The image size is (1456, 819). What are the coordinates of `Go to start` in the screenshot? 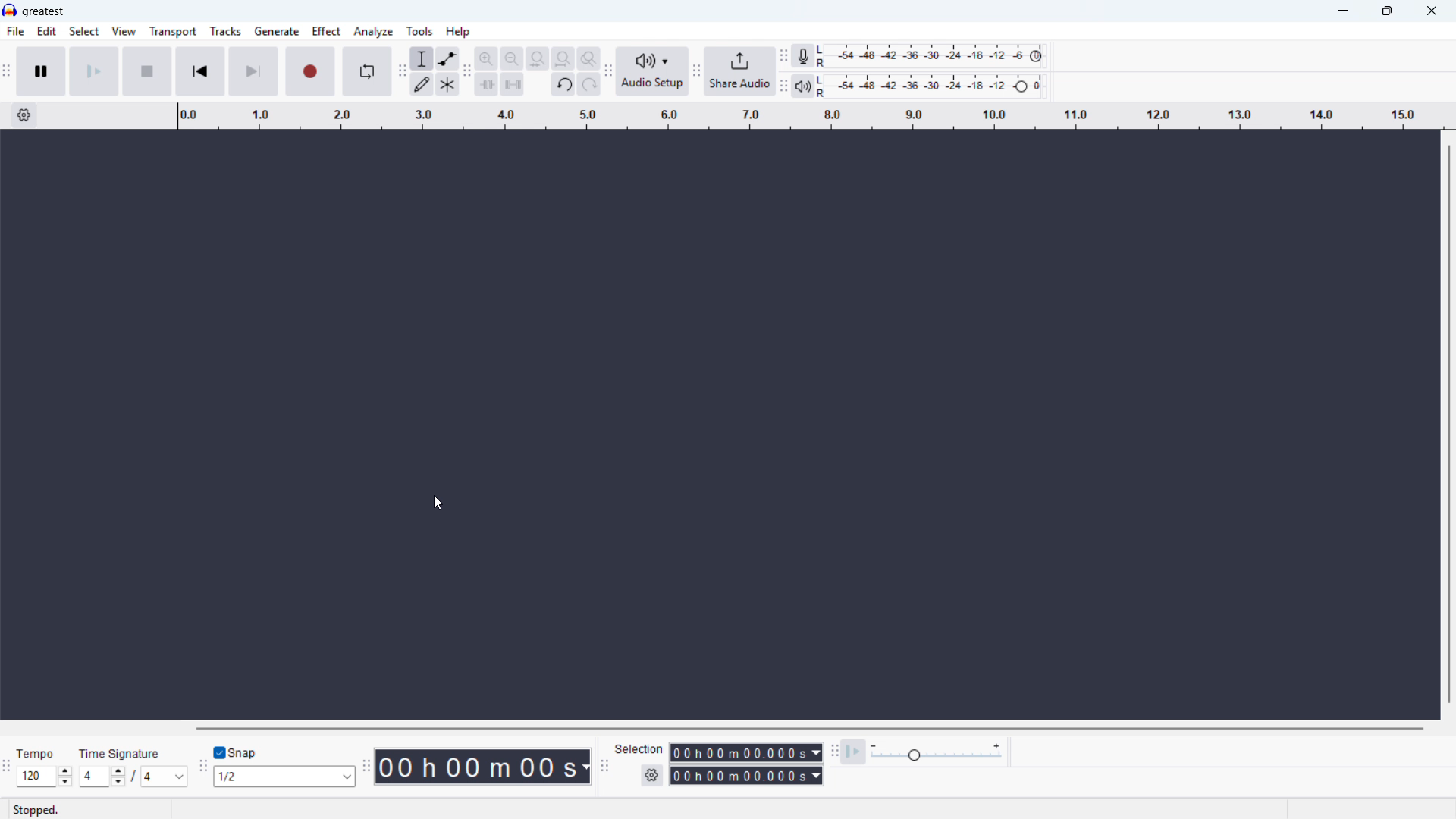 It's located at (201, 71).